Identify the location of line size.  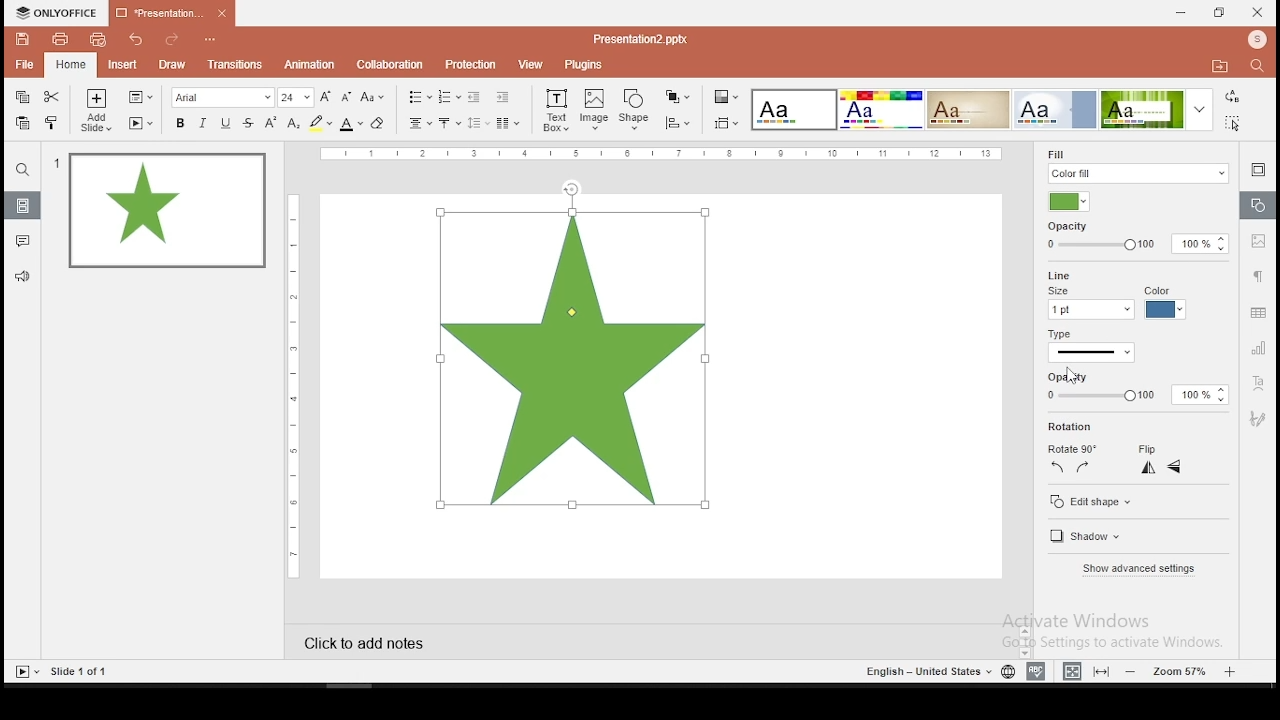
(1092, 304).